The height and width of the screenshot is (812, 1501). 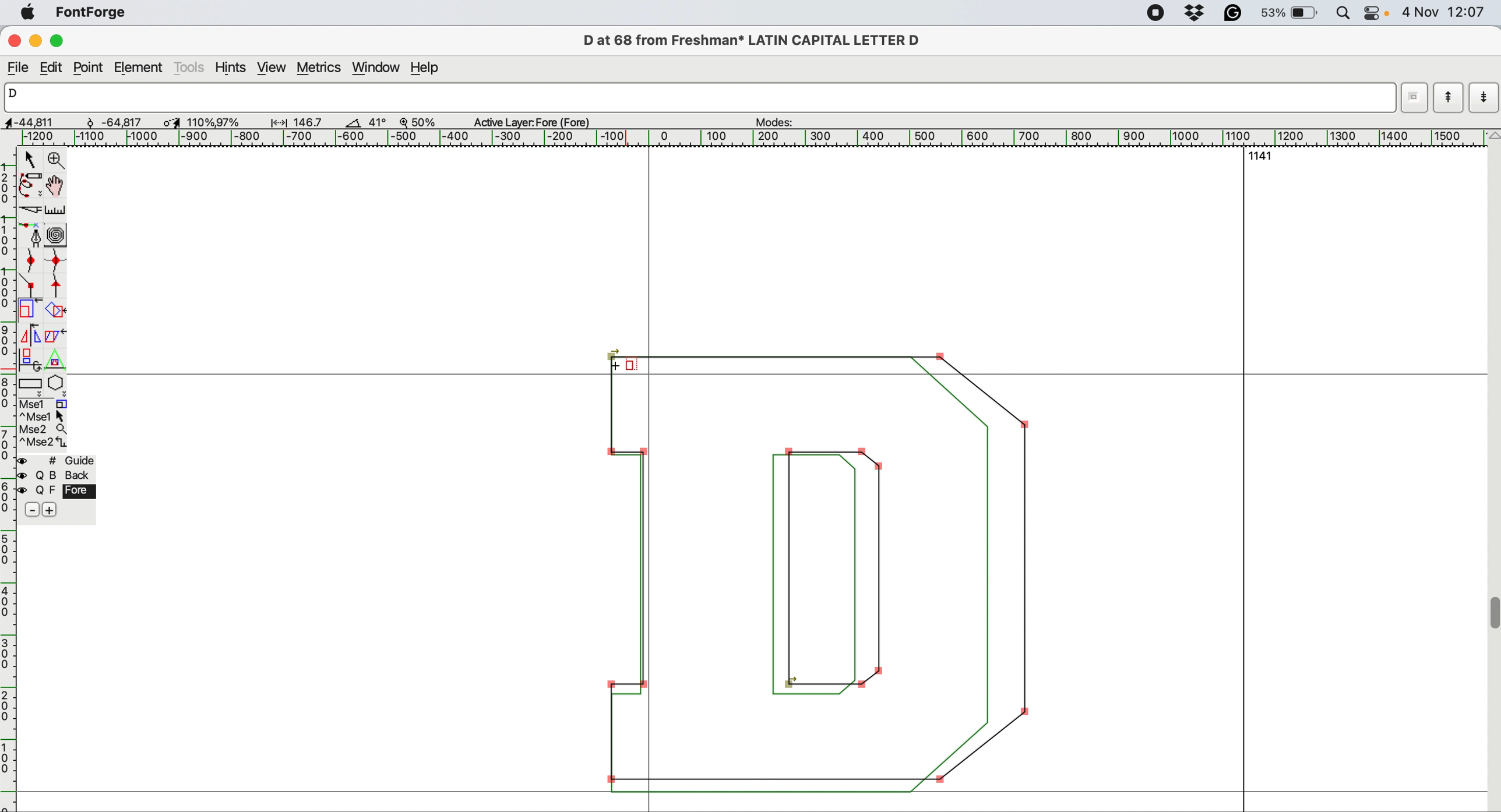 What do you see at coordinates (378, 69) in the screenshot?
I see `window` at bounding box center [378, 69].